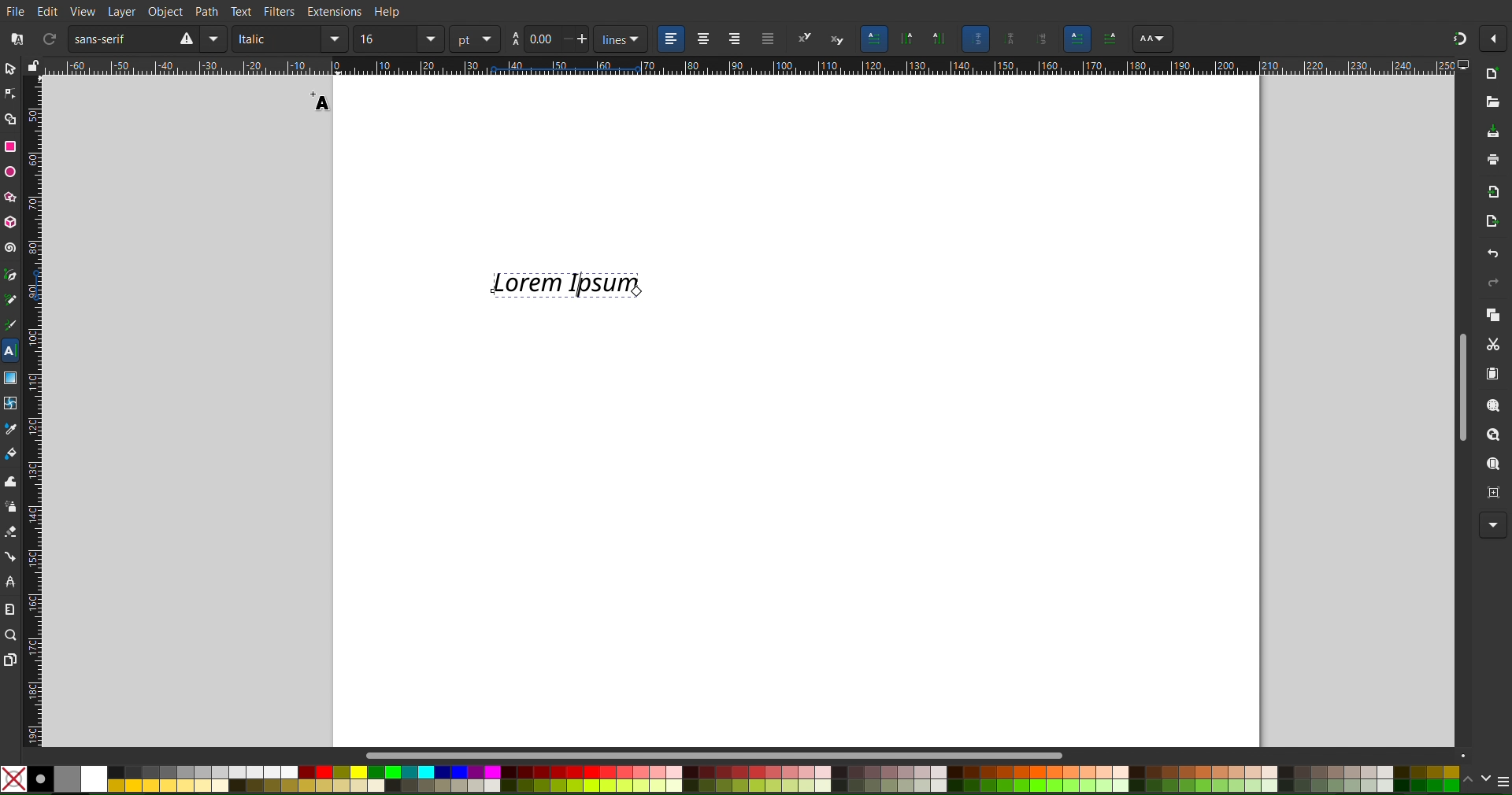 Image resolution: width=1512 pixels, height=795 pixels. What do you see at coordinates (1492, 286) in the screenshot?
I see `Redo` at bounding box center [1492, 286].